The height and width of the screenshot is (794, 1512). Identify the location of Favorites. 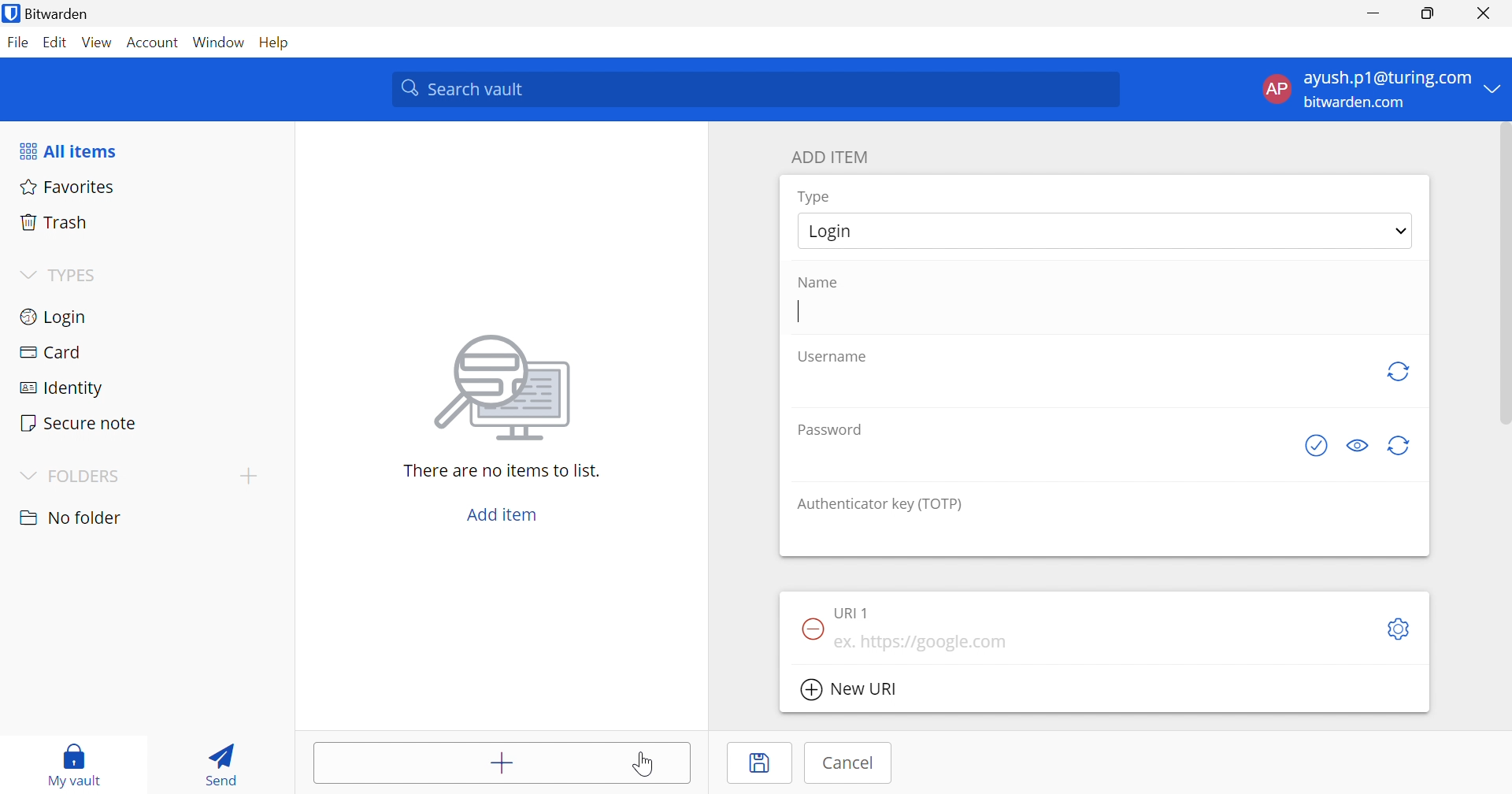
(69, 186).